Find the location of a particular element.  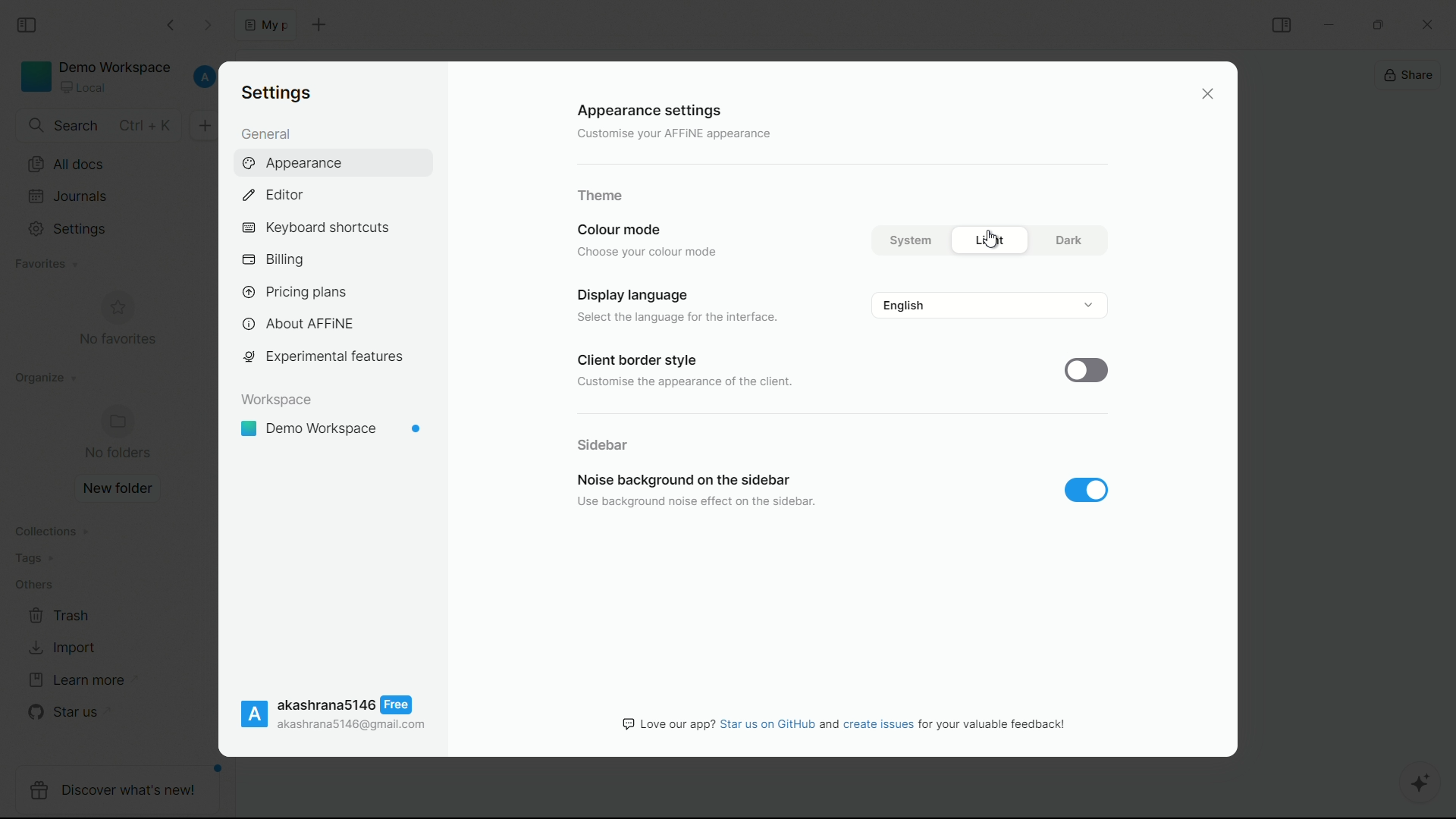

change language is located at coordinates (990, 305).